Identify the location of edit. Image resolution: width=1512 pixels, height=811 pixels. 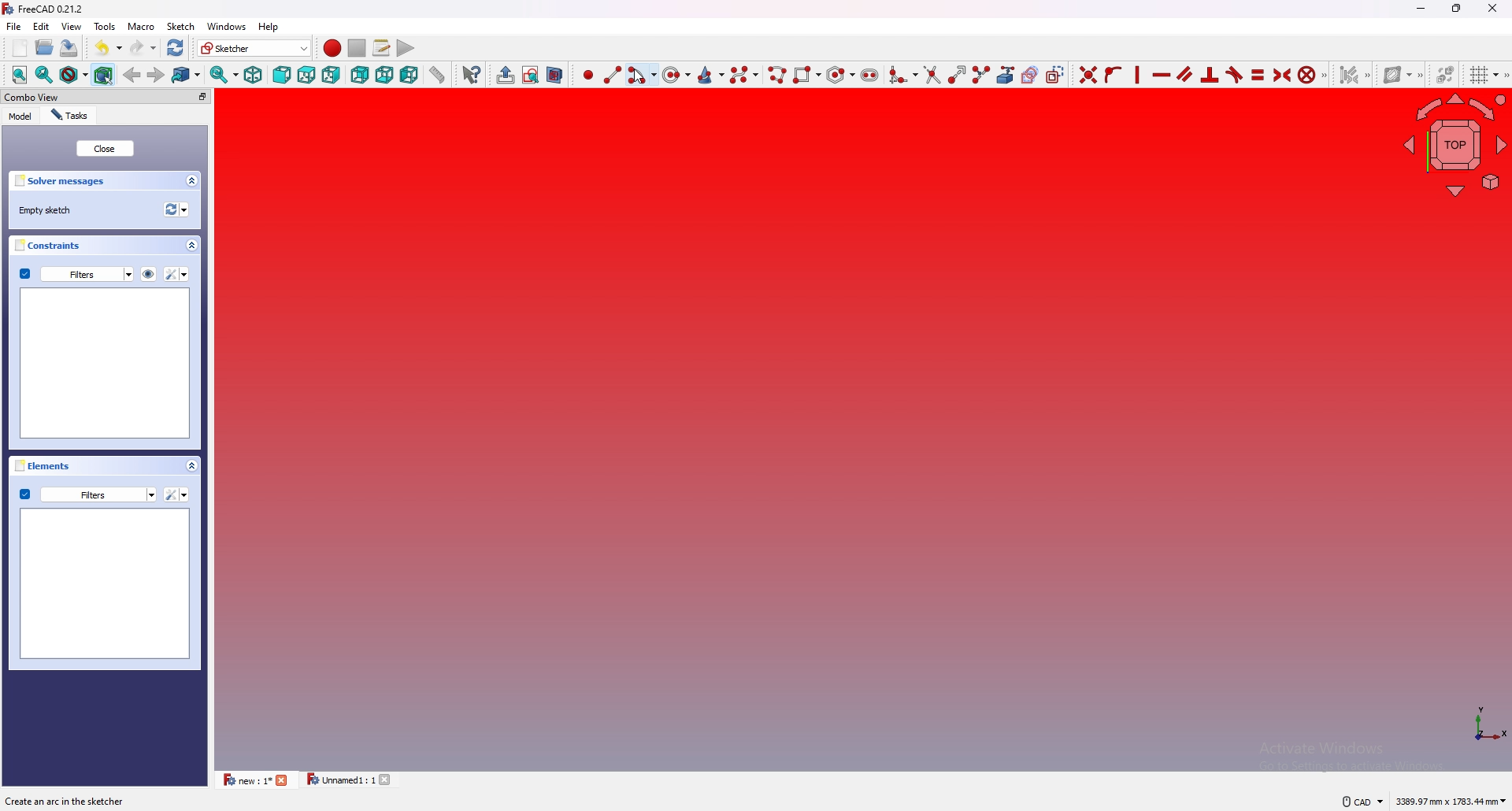
(44, 26).